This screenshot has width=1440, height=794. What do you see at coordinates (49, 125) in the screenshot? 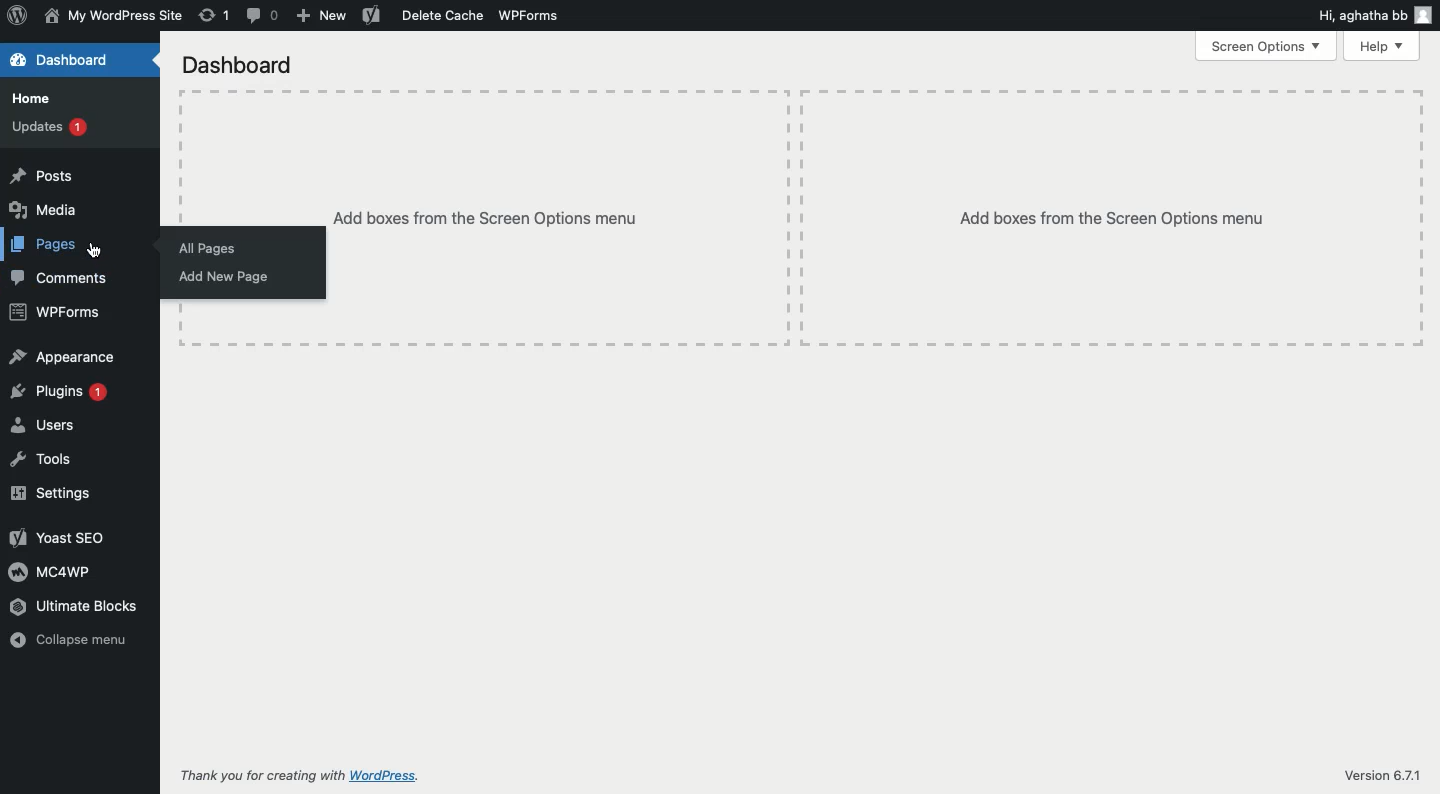
I see `Updates` at bounding box center [49, 125].